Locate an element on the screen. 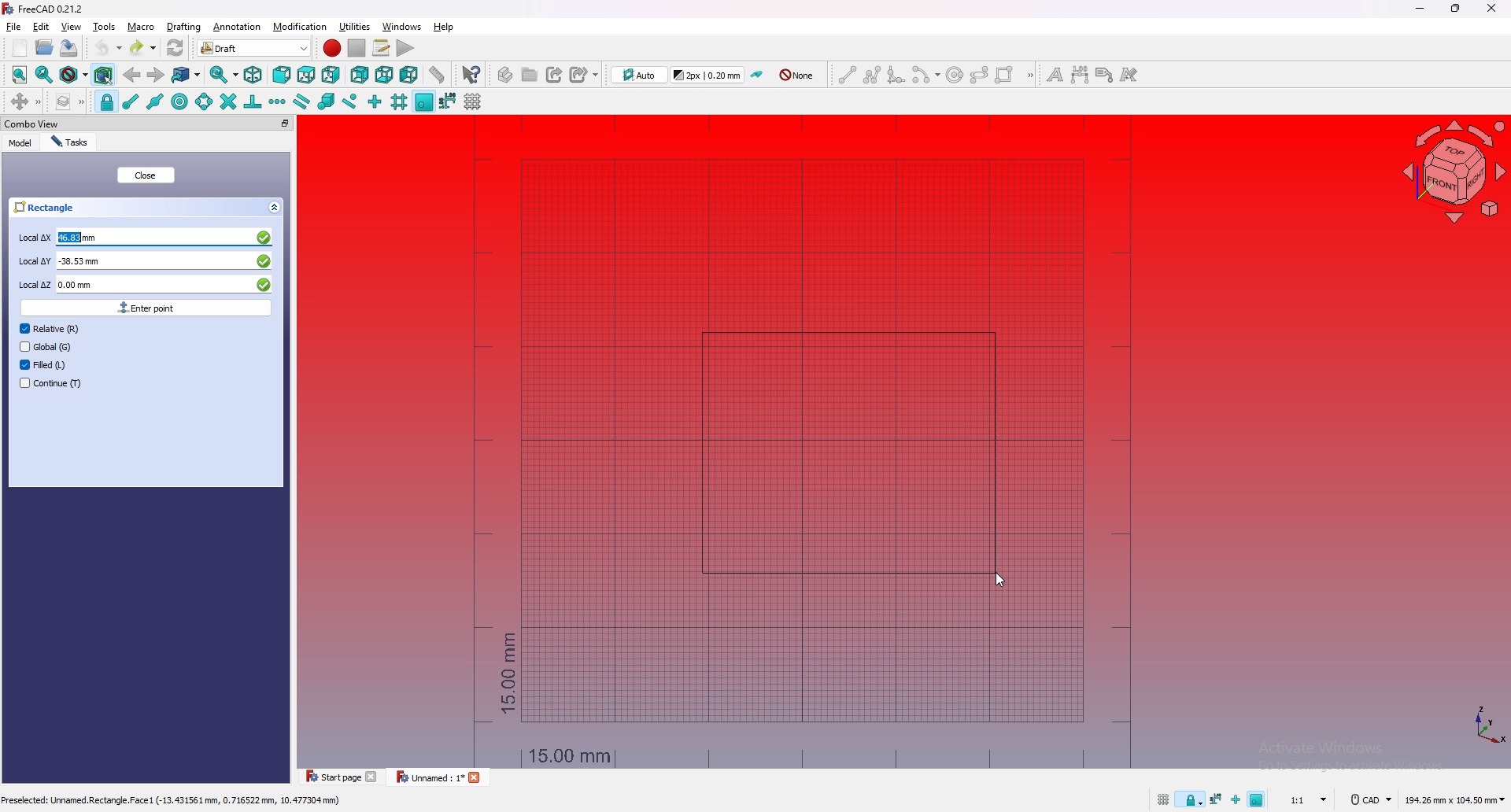 Image resolution: width=1511 pixels, height=812 pixels. redo is located at coordinates (144, 47).